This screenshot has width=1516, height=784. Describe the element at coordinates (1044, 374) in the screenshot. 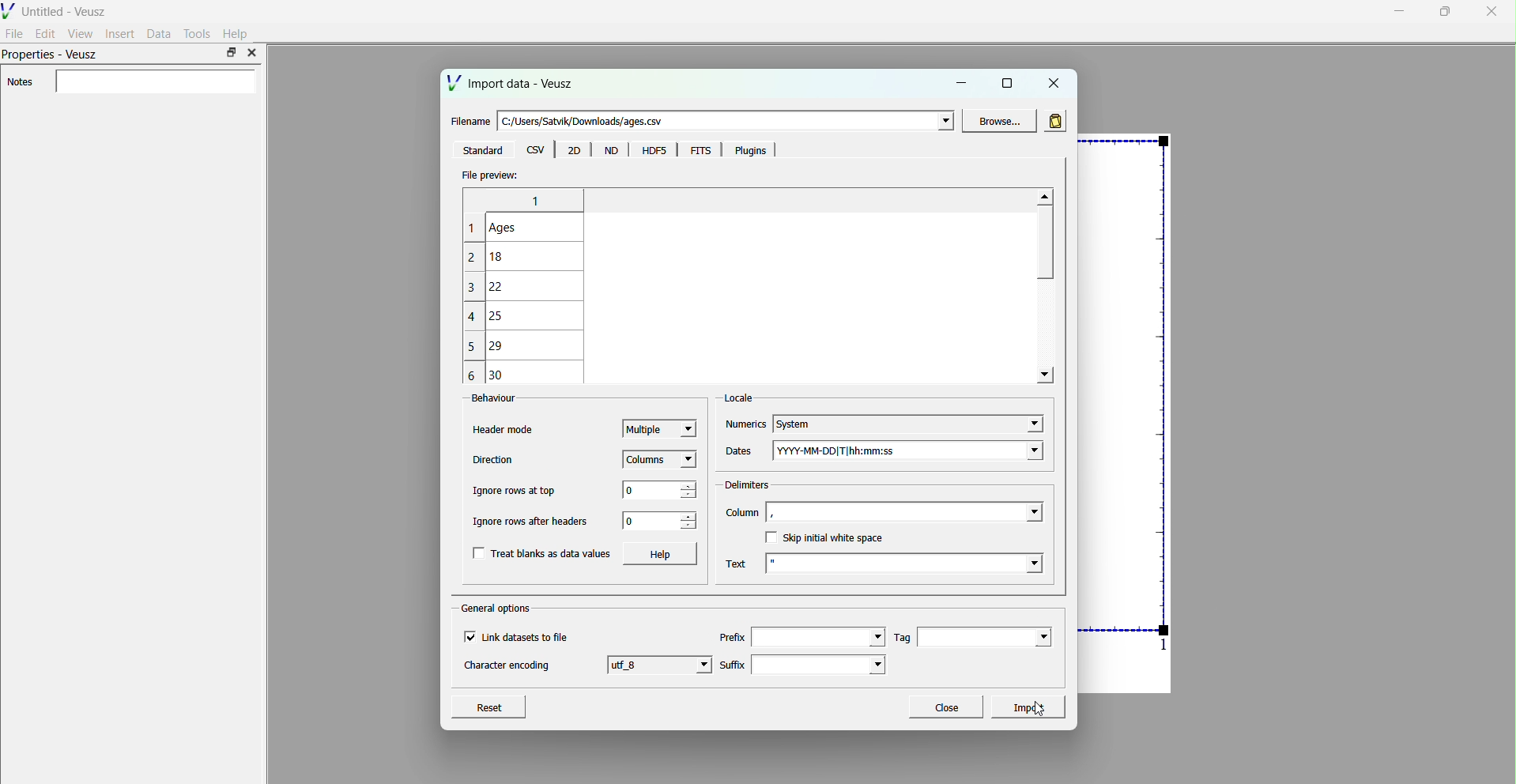

I see `move down` at that location.